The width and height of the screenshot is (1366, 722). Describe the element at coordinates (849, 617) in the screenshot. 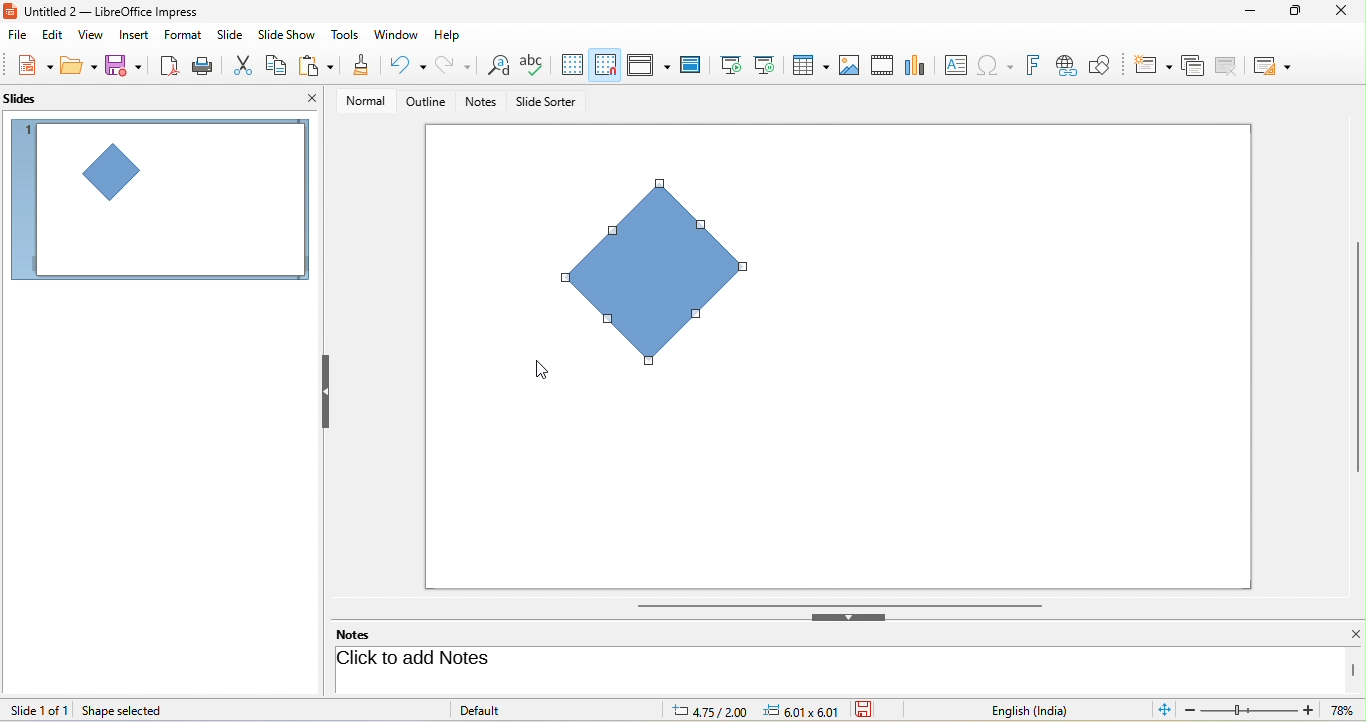

I see `hide` at that location.